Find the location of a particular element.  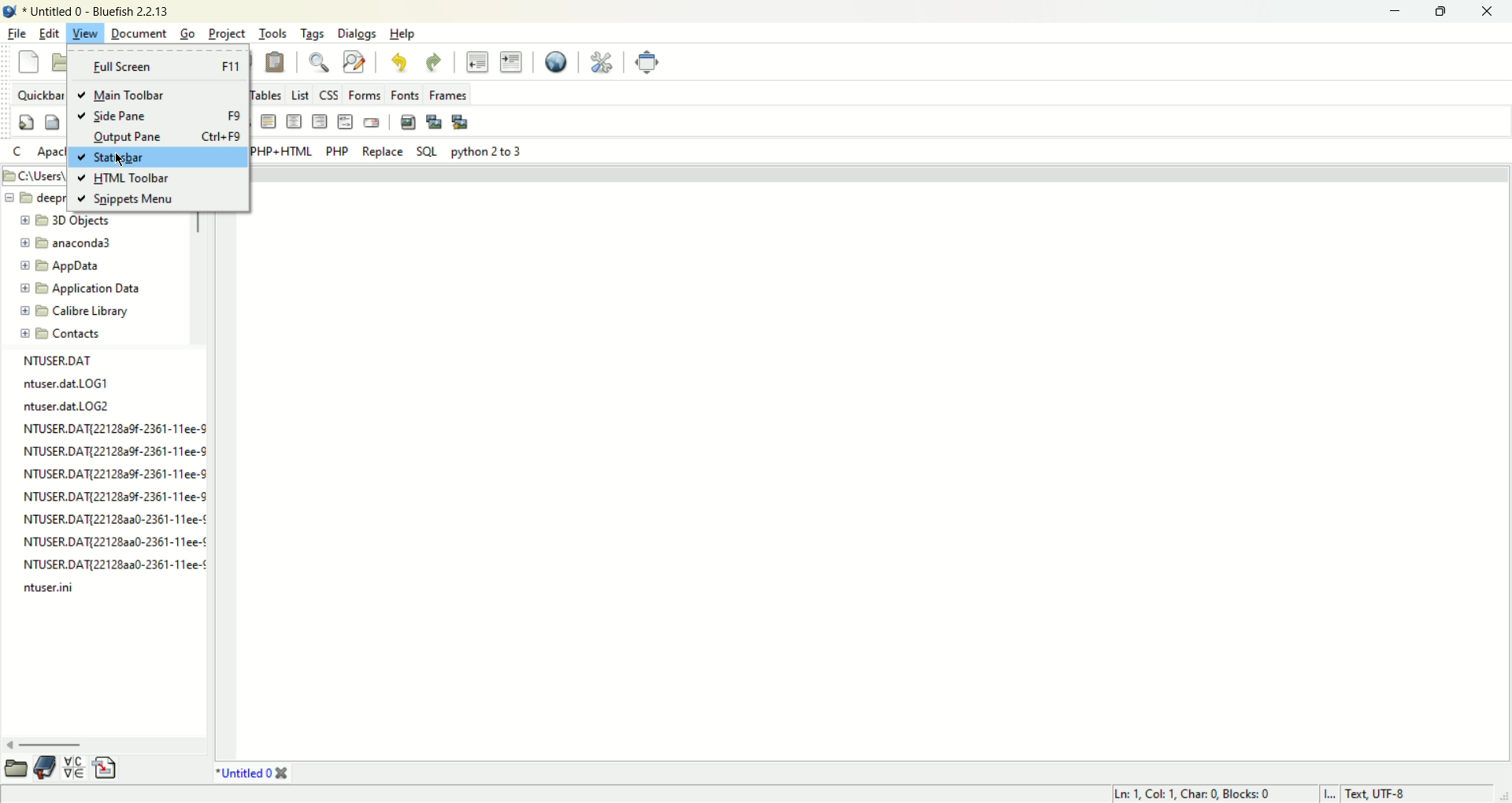

*Untitled 0 is located at coordinates (244, 775).